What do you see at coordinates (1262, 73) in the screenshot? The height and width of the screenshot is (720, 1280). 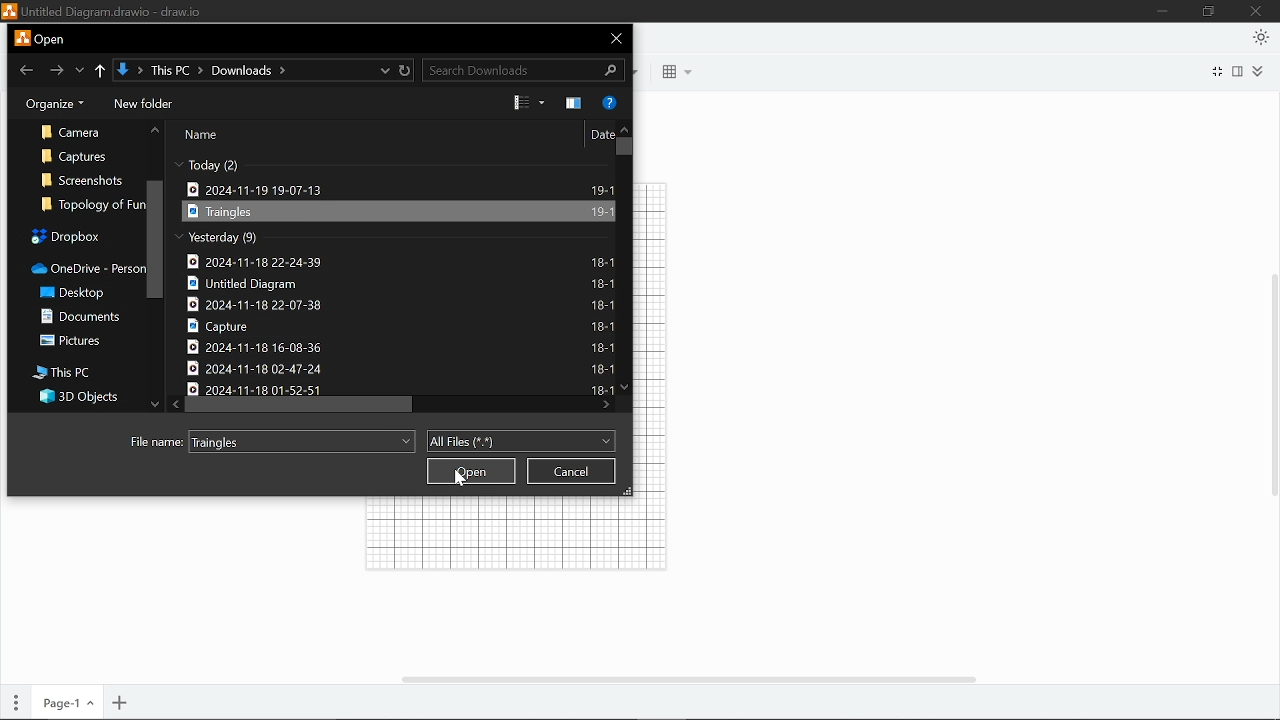 I see `Expand/collapse` at bounding box center [1262, 73].